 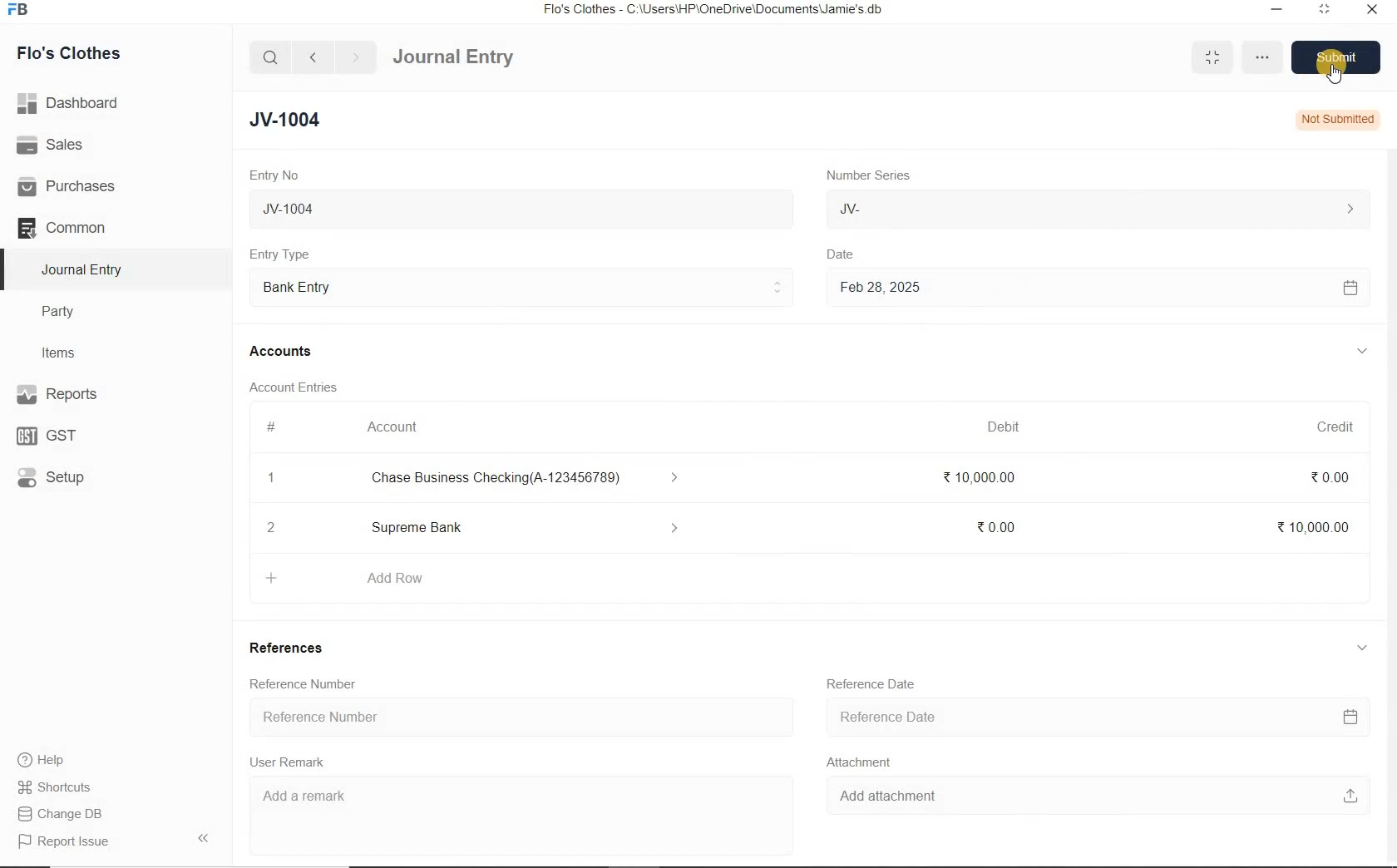 I want to click on back, so click(x=313, y=56).